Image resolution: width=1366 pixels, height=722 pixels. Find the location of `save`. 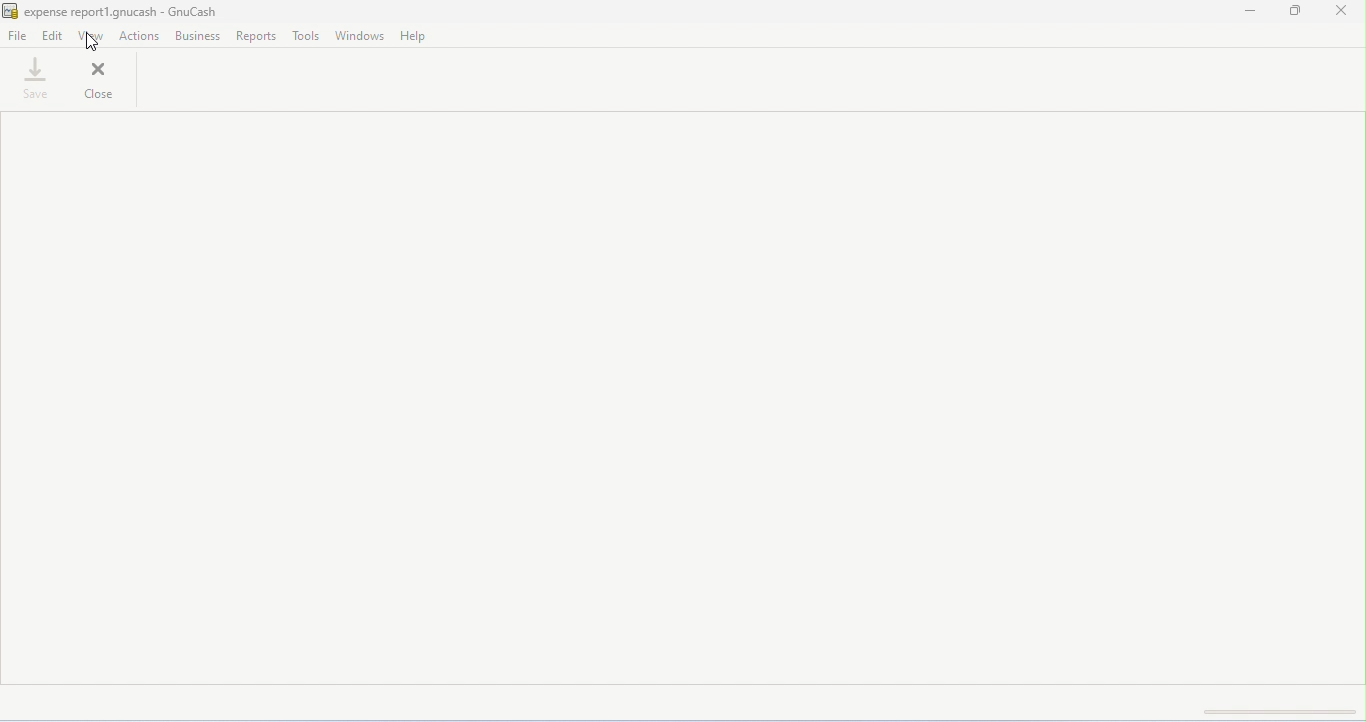

save is located at coordinates (38, 77).